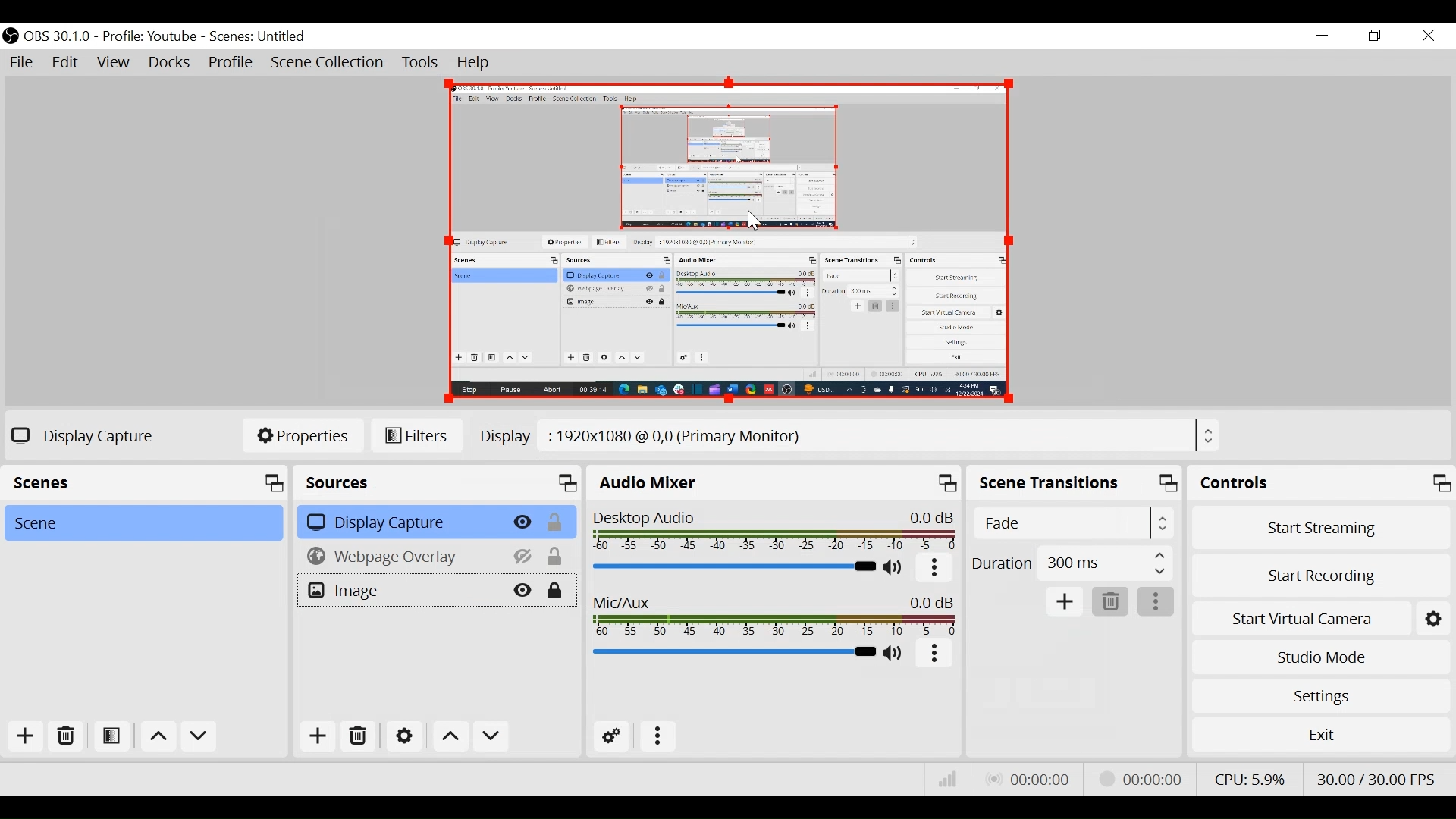  What do you see at coordinates (66, 62) in the screenshot?
I see `Edit` at bounding box center [66, 62].